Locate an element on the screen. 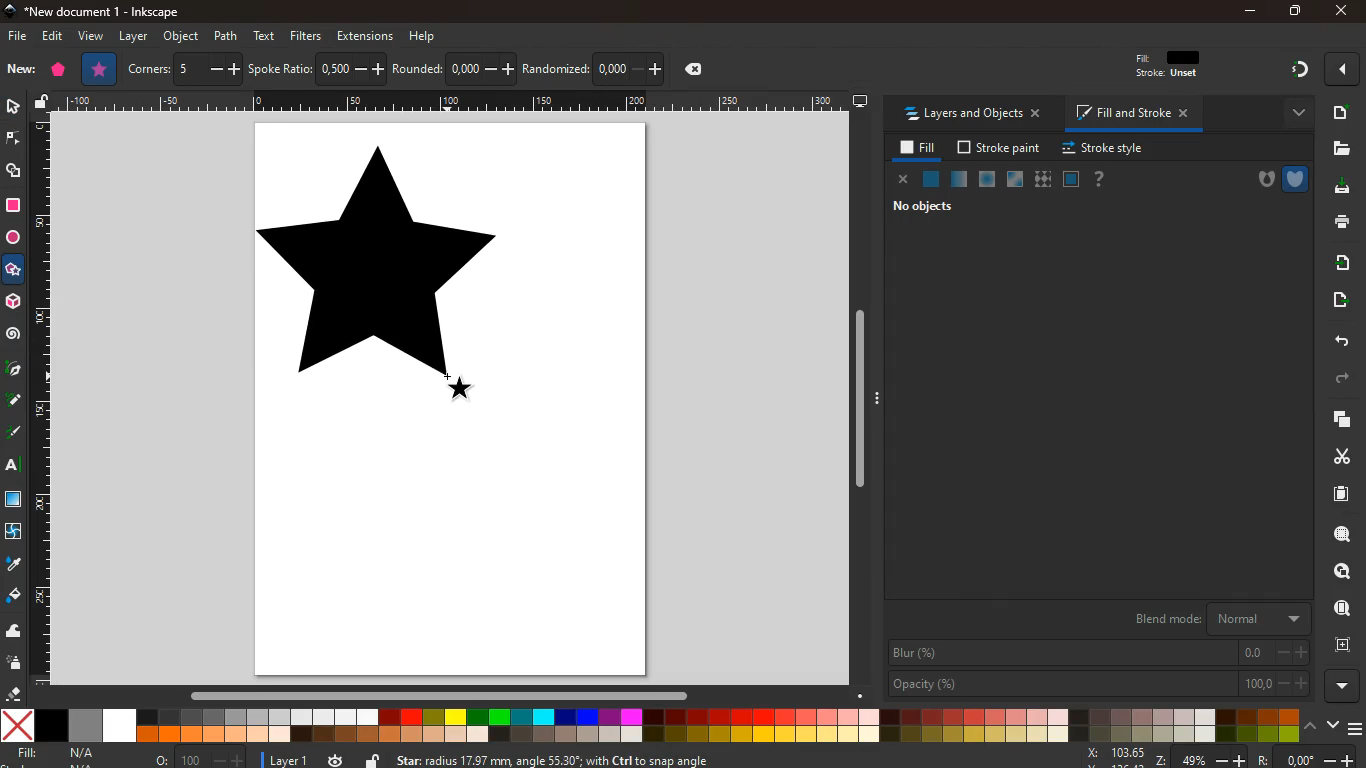 The image size is (1366, 768). desktop is located at coordinates (860, 99).